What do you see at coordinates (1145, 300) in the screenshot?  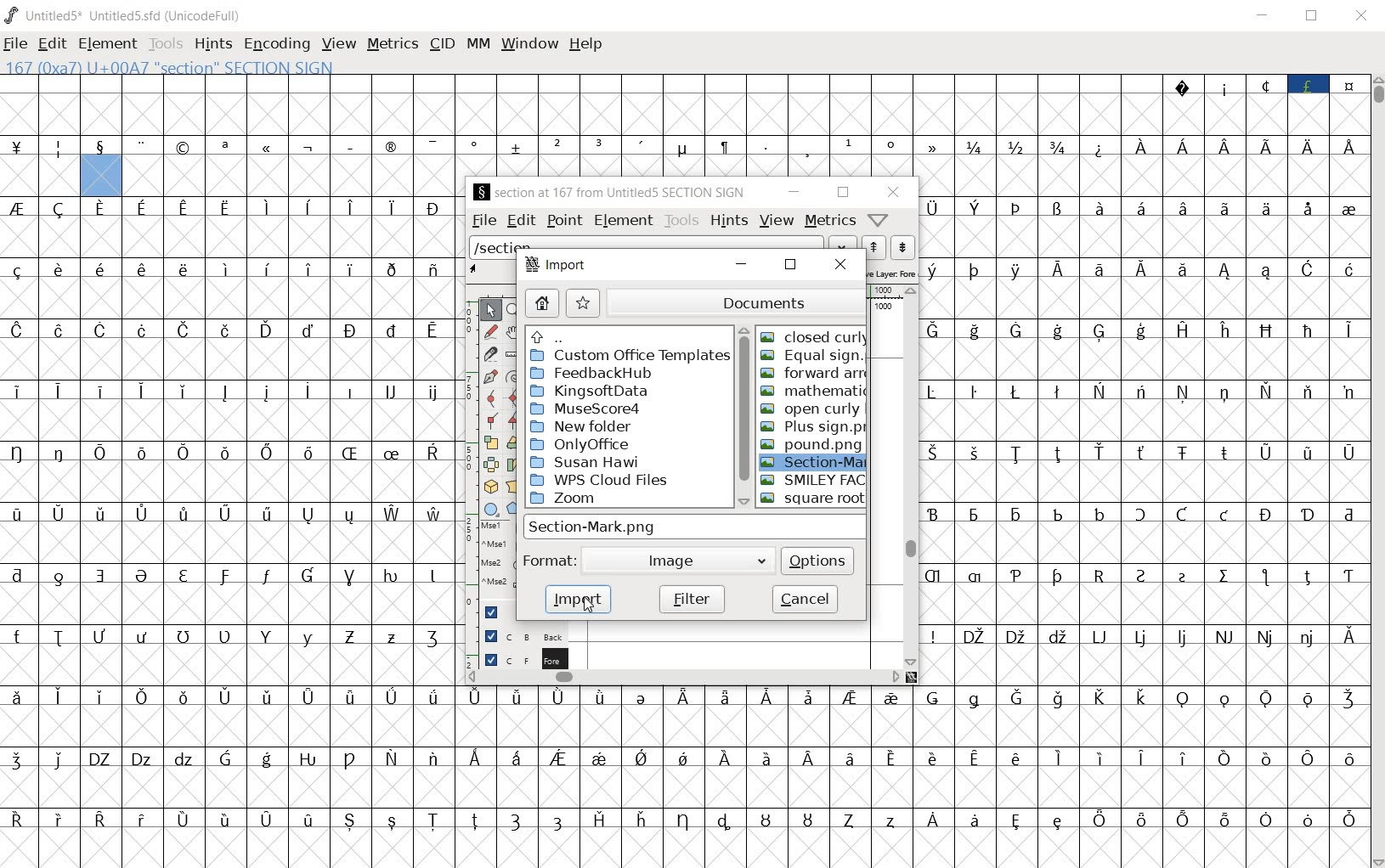 I see `empty cells` at bounding box center [1145, 300].